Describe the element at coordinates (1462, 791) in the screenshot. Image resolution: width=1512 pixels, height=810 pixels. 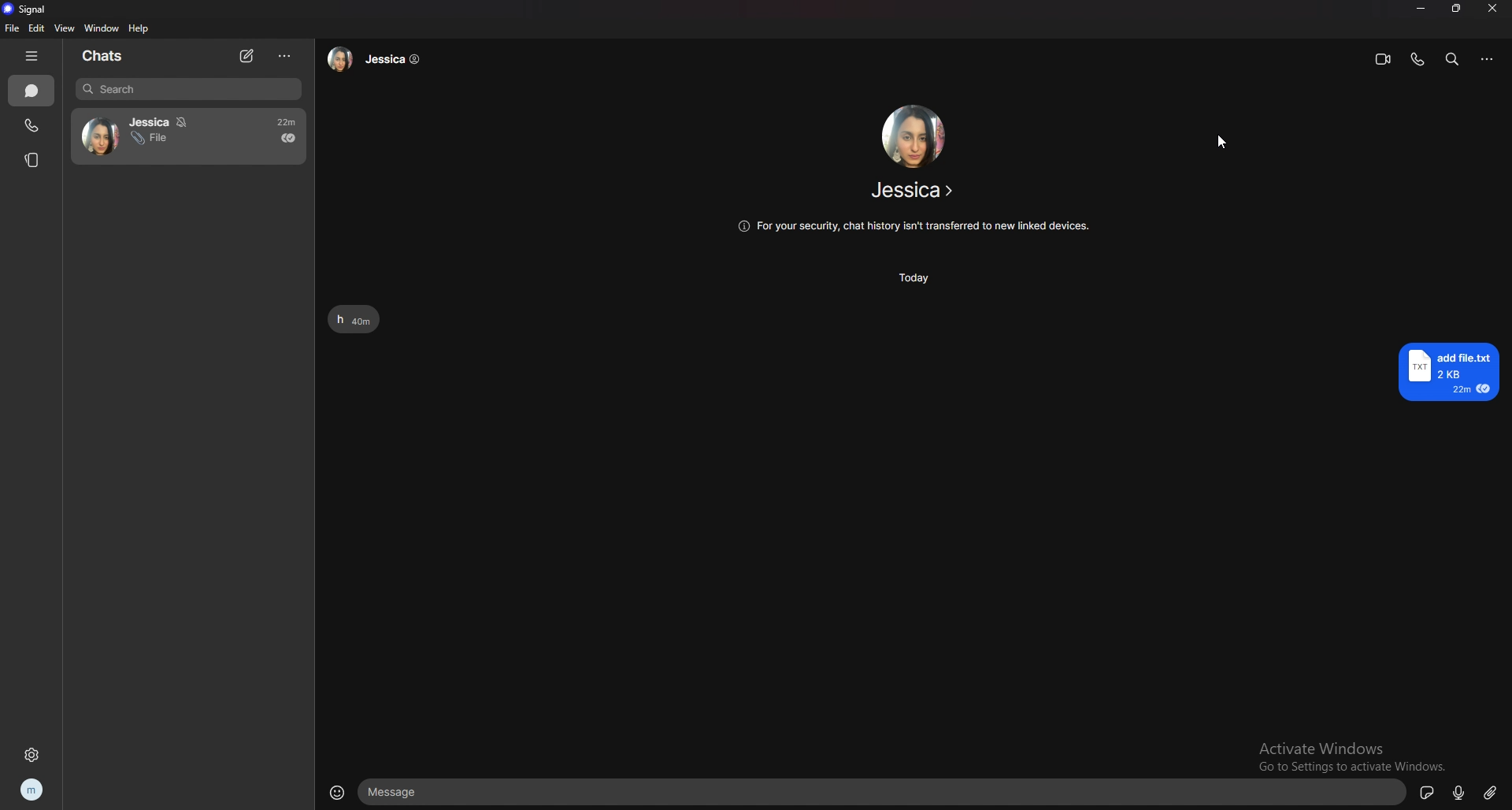
I see `voice type` at that location.